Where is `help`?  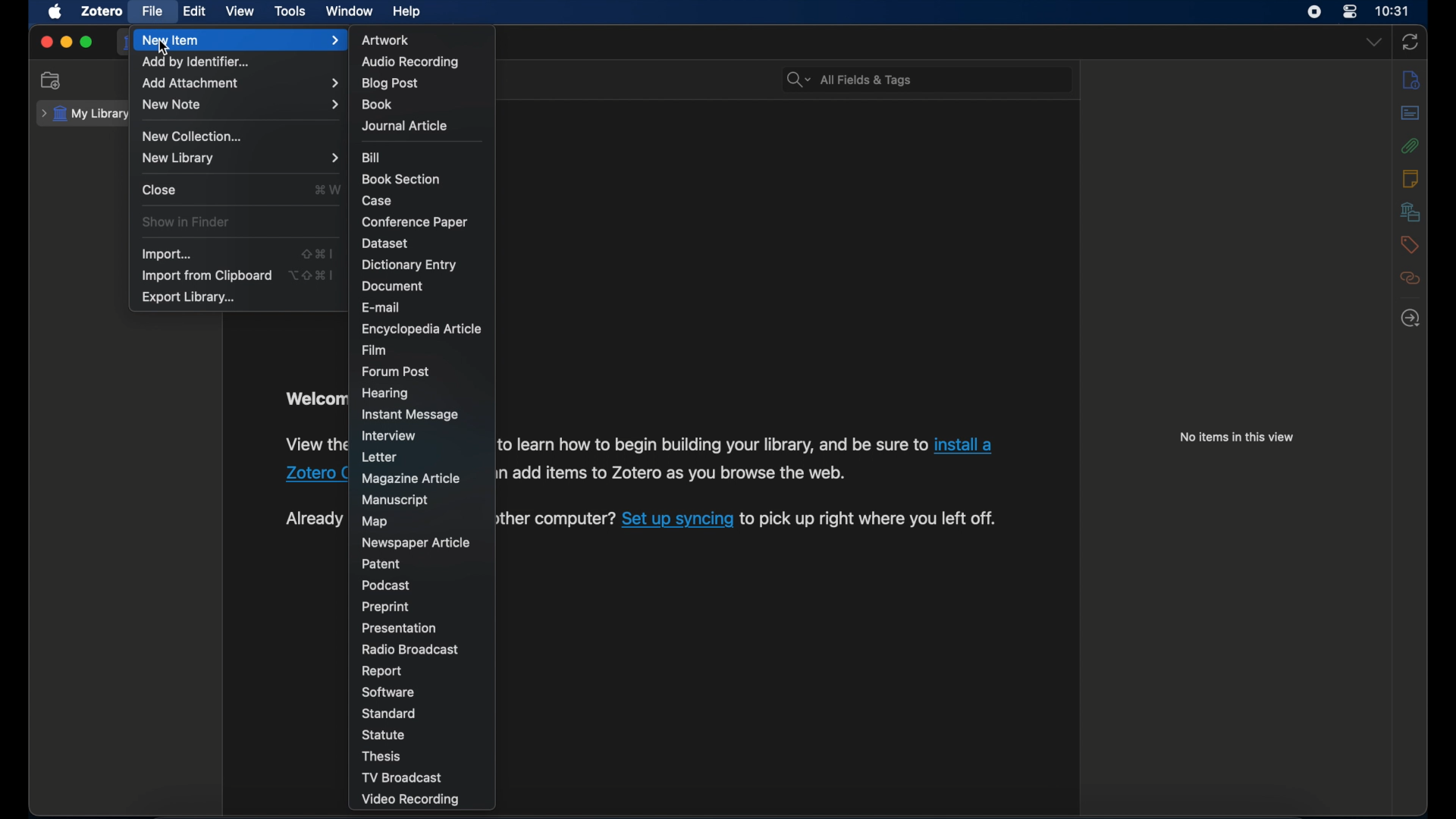
help is located at coordinates (406, 12).